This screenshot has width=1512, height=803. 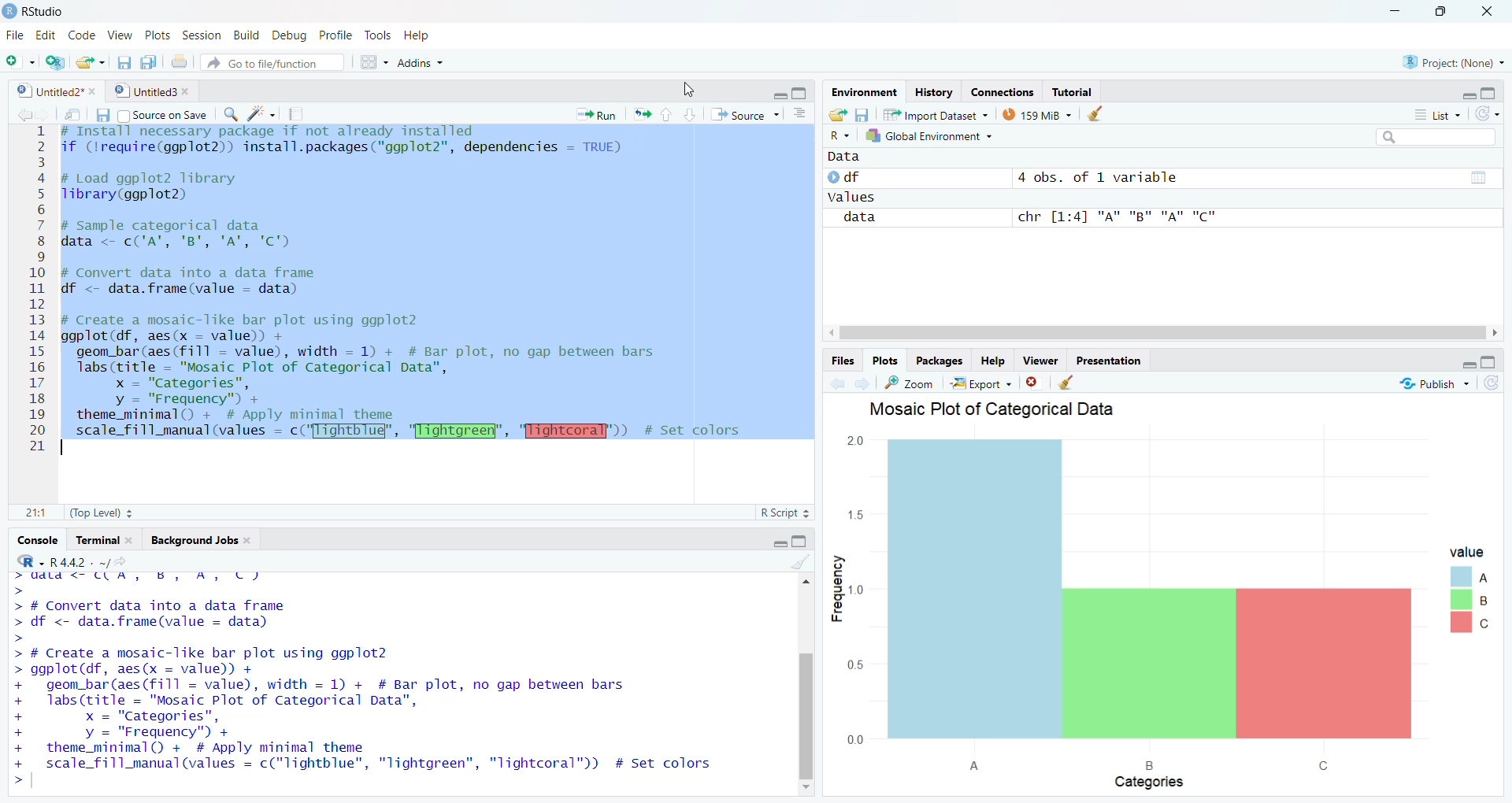 I want to click on Workspace panes, so click(x=371, y=62).